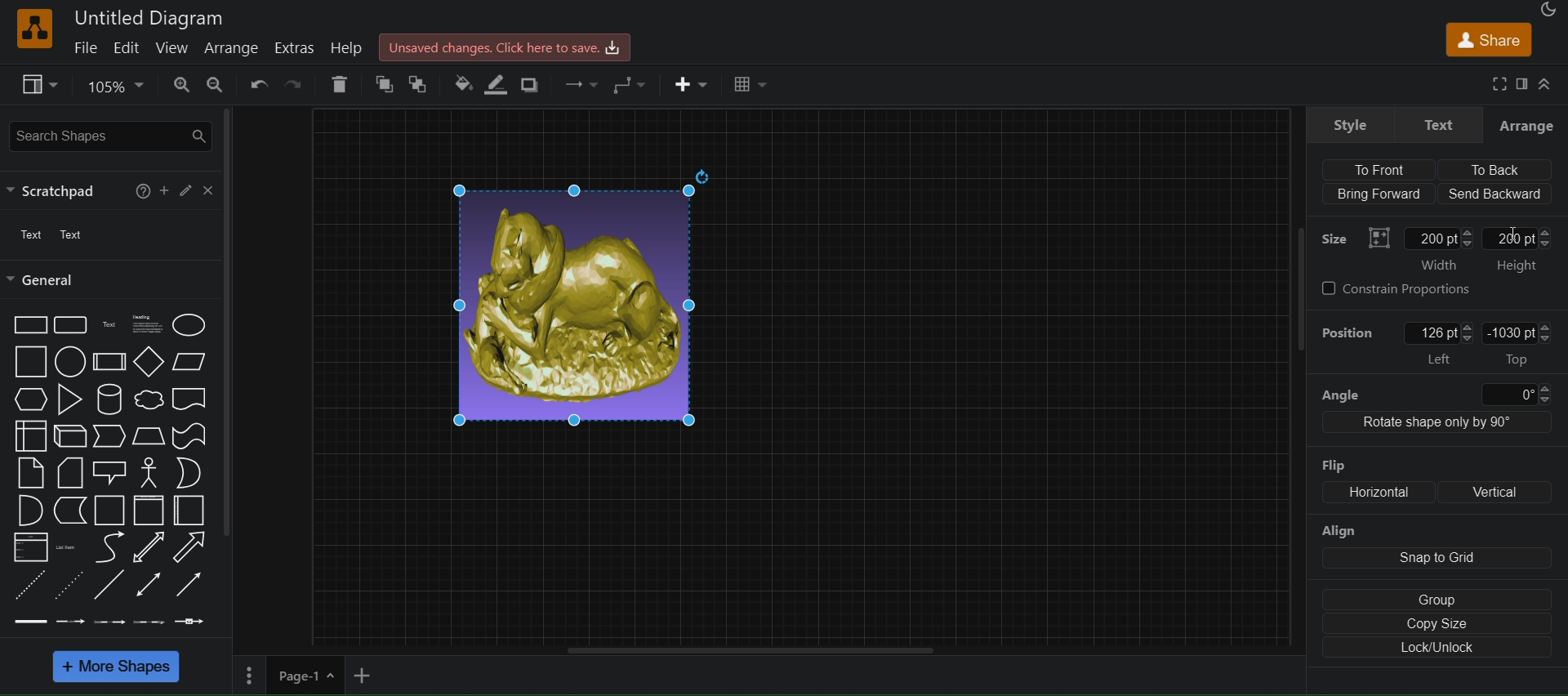 The height and width of the screenshot is (696, 1568). I want to click on to back, so click(417, 86).